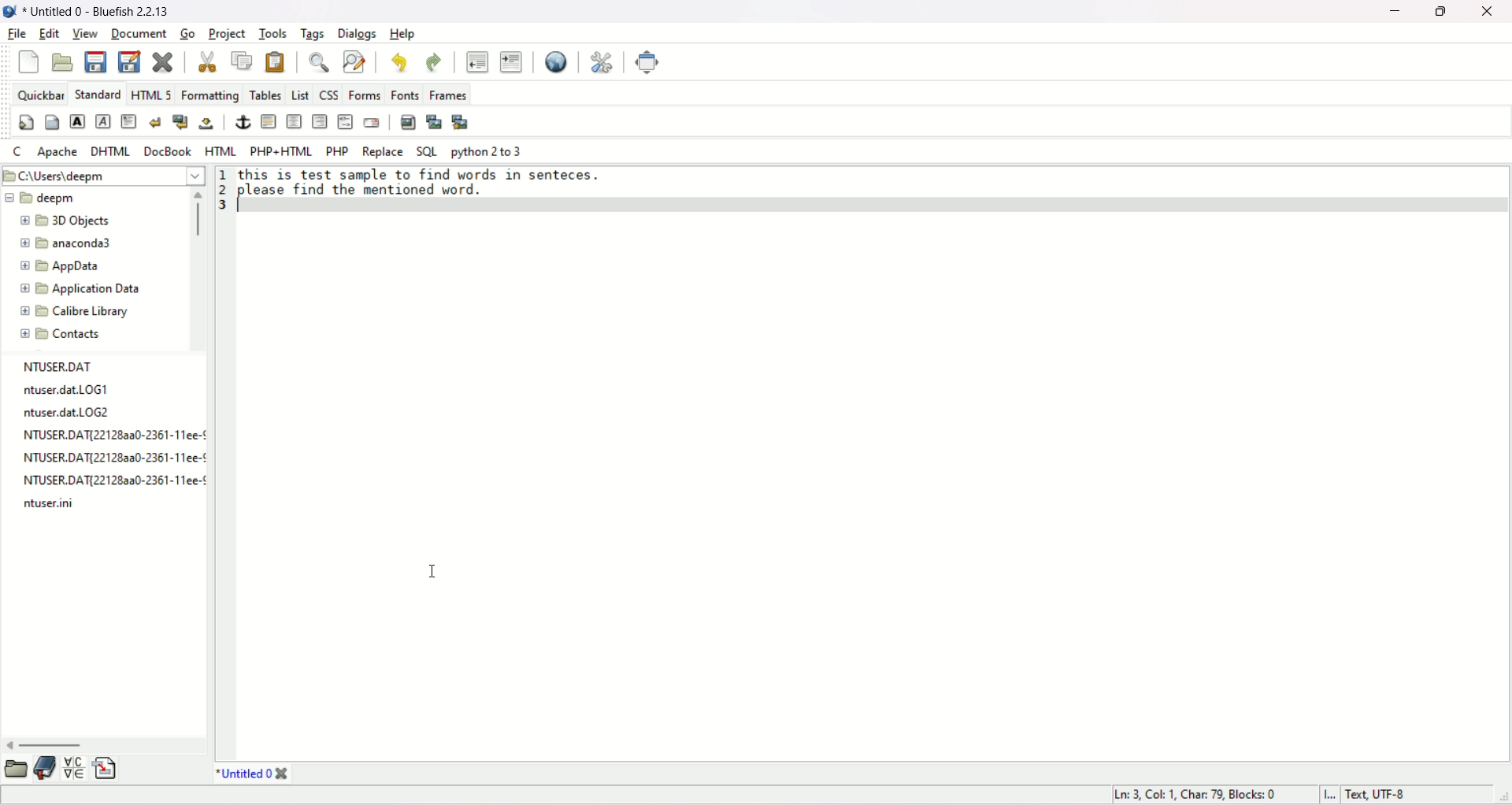  What do you see at coordinates (384, 151) in the screenshot?
I see `replace` at bounding box center [384, 151].